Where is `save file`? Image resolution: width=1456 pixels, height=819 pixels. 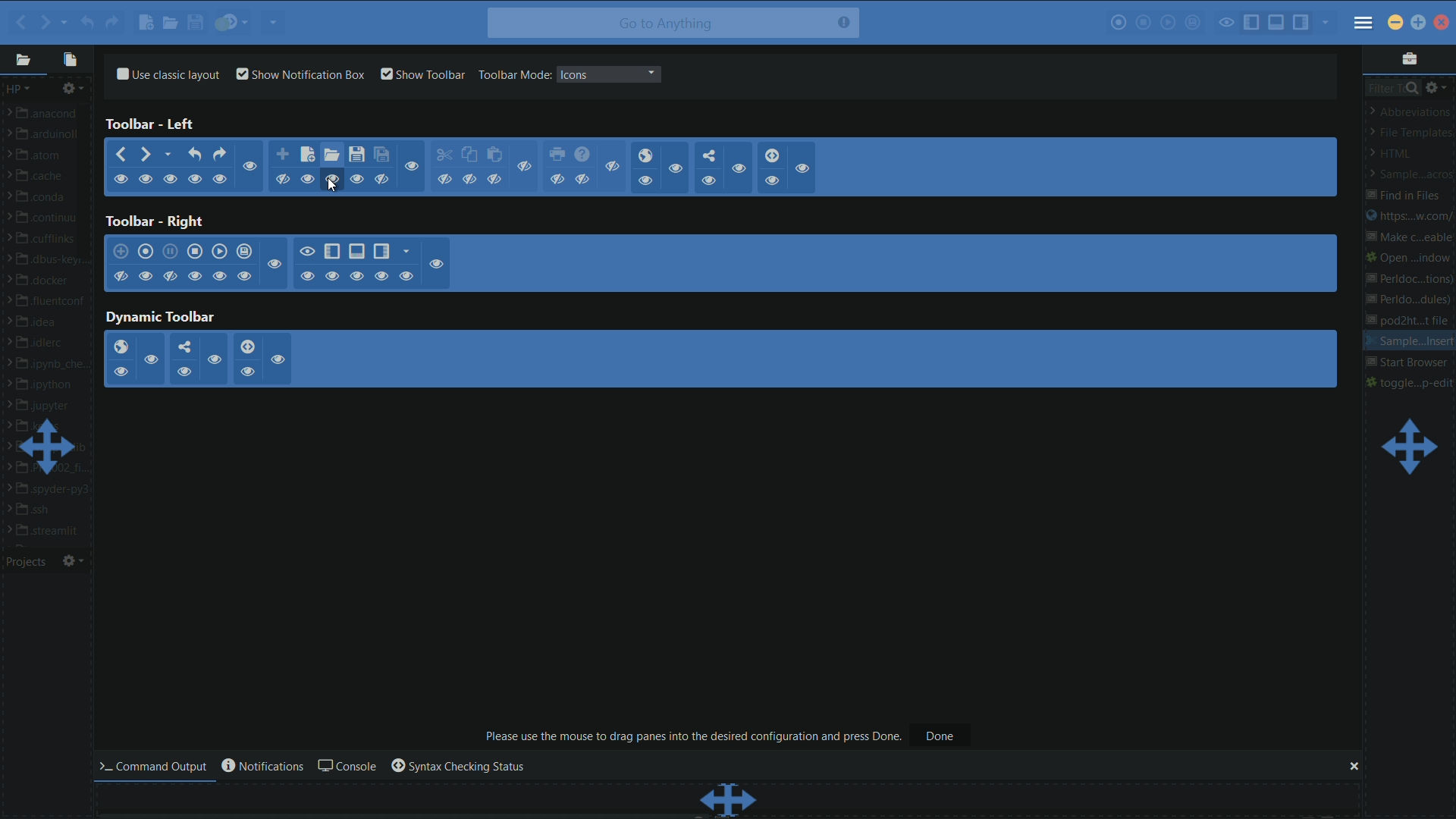
save file is located at coordinates (357, 155).